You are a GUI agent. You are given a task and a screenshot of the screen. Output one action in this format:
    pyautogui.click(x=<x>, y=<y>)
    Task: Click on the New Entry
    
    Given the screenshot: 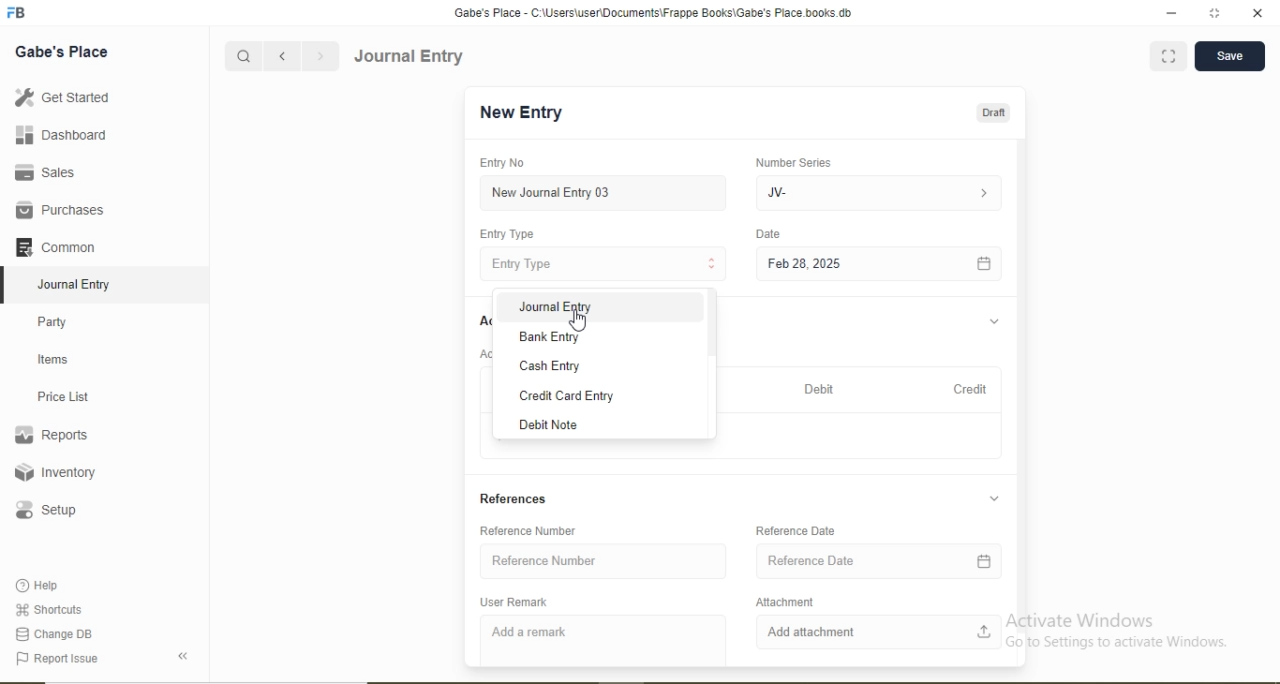 What is the action you would take?
    pyautogui.click(x=520, y=113)
    